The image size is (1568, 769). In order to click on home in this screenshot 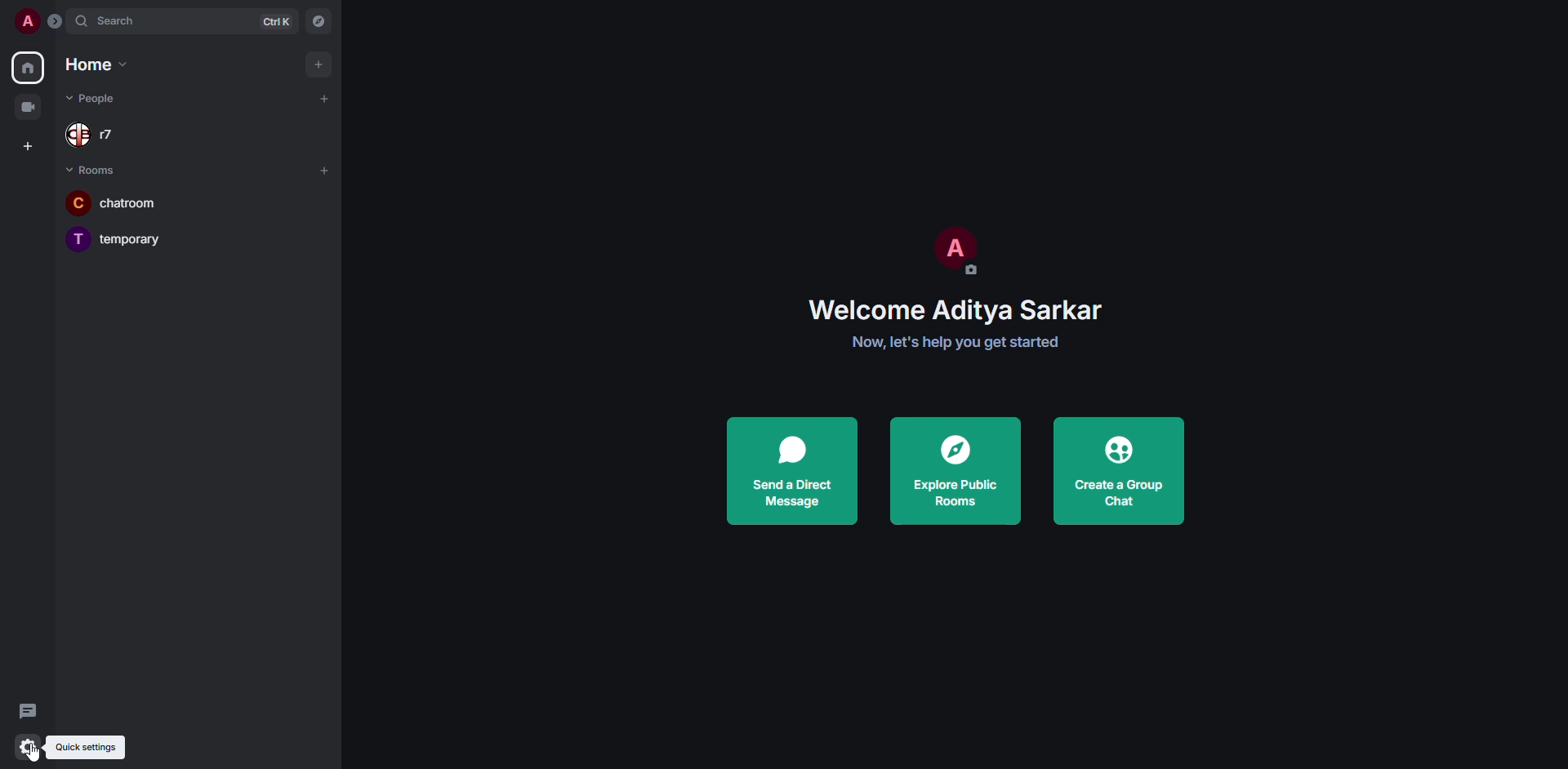, I will do `click(29, 69)`.